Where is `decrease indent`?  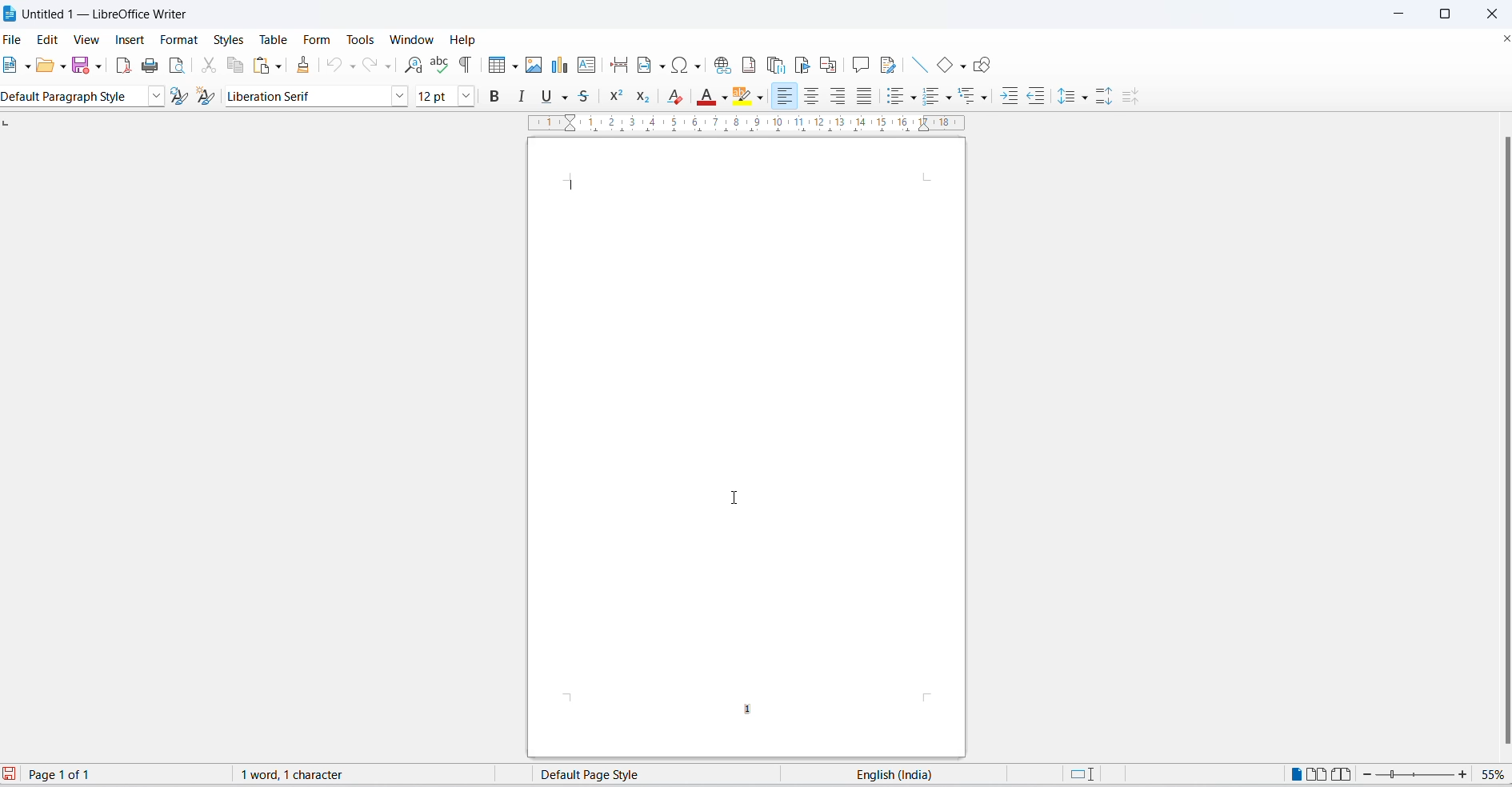 decrease indent is located at coordinates (1035, 97).